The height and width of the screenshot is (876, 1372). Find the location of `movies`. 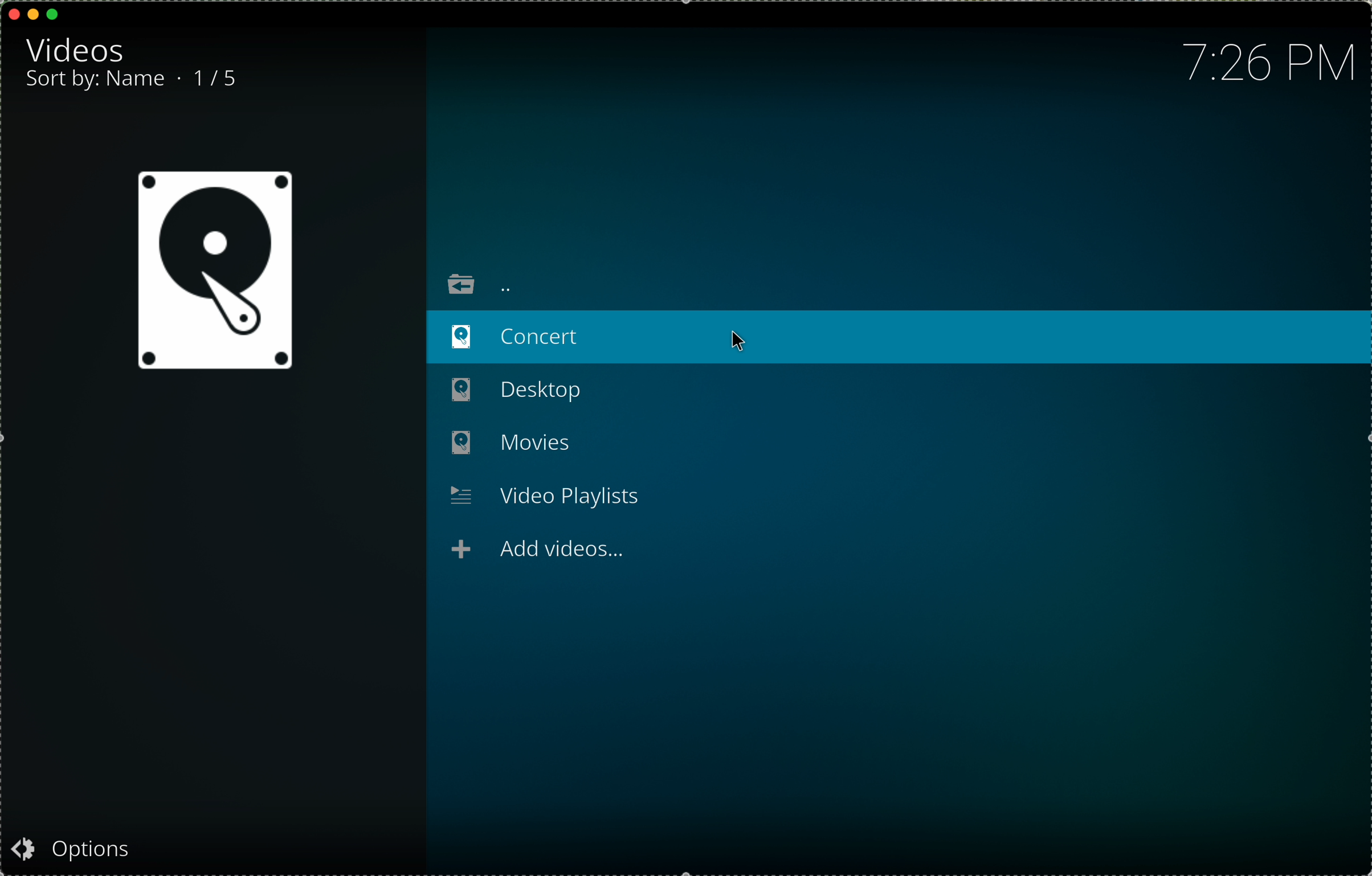

movies is located at coordinates (512, 443).